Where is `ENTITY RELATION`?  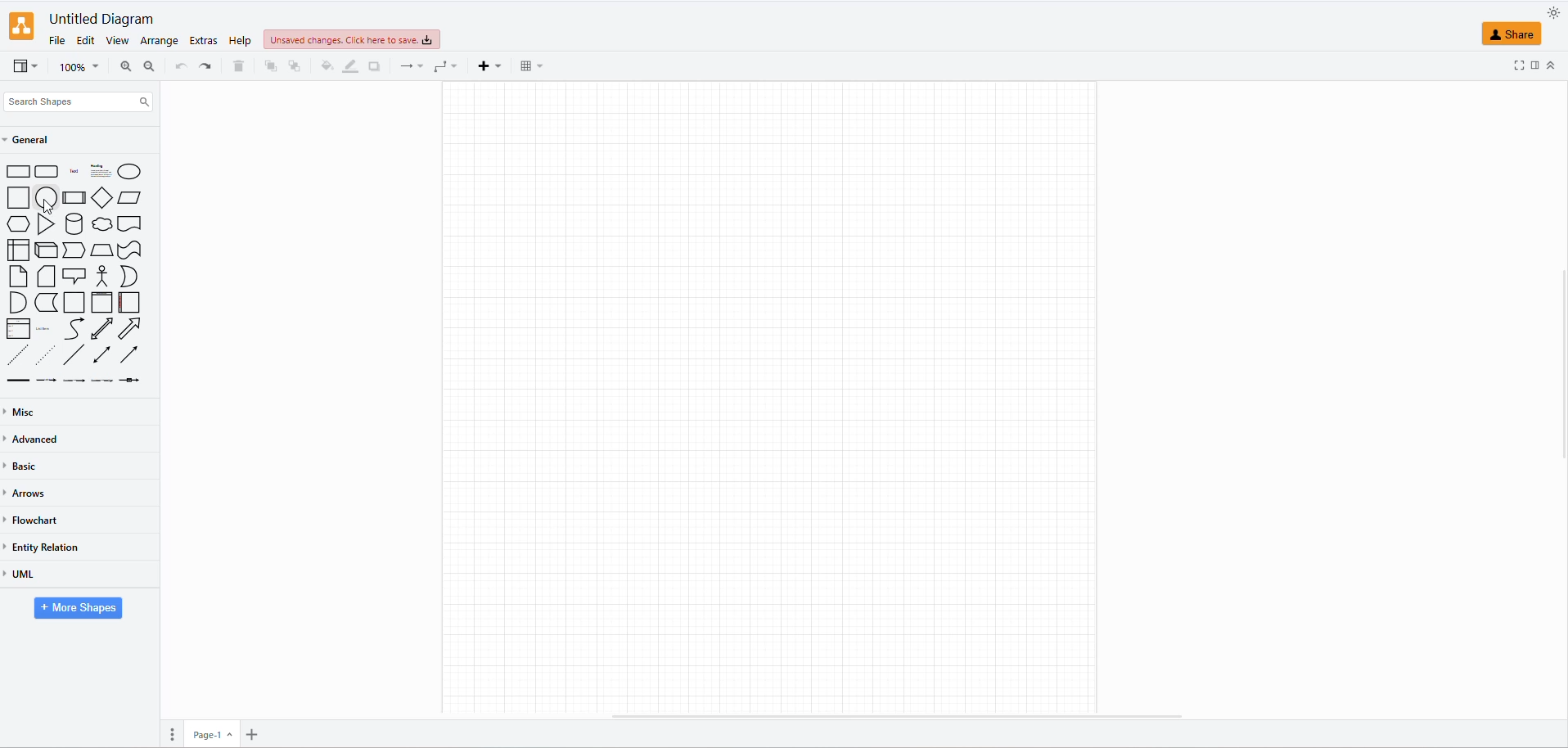 ENTITY RELATION is located at coordinates (47, 547).